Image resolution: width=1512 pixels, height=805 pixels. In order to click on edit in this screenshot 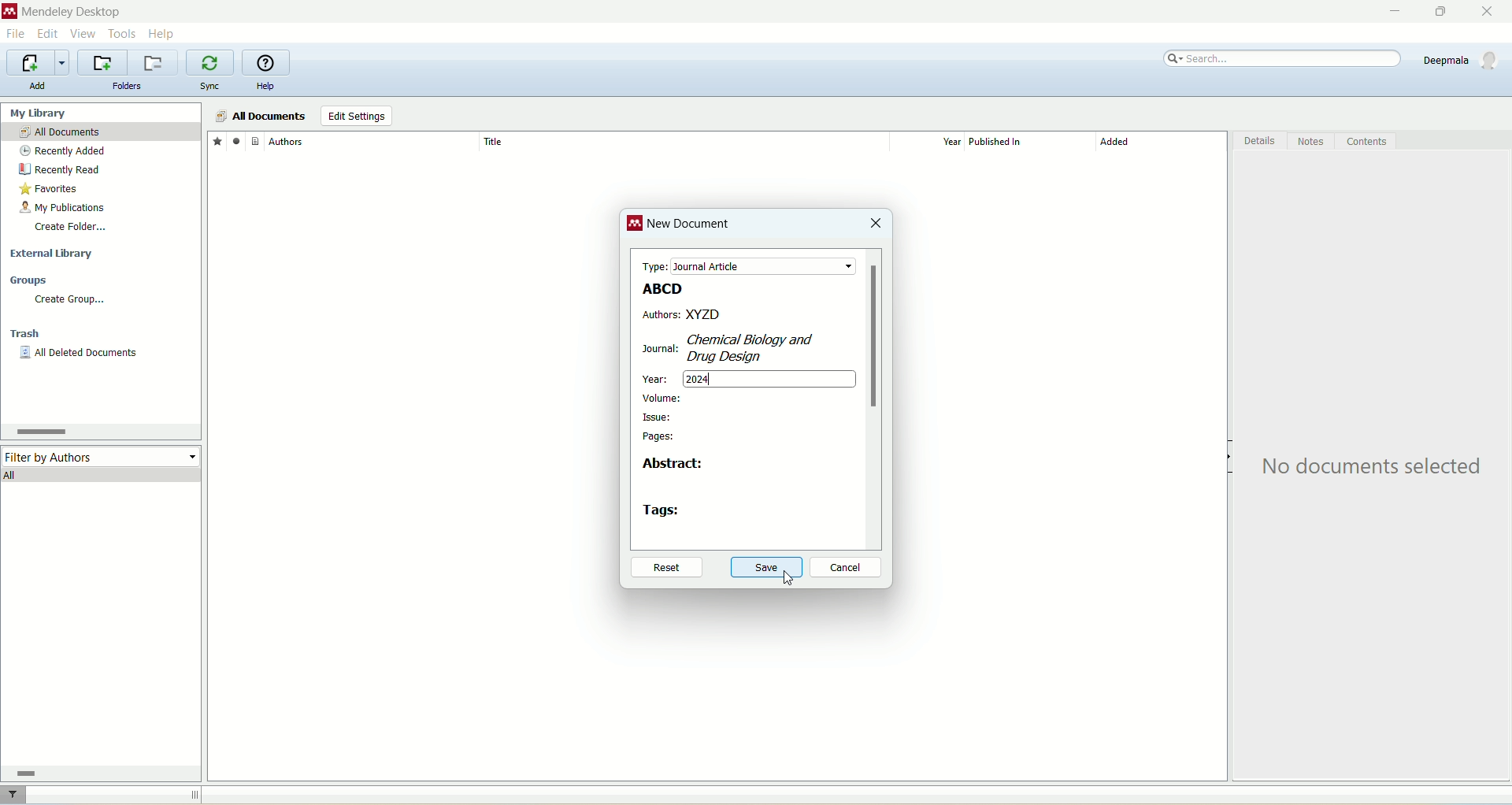, I will do `click(46, 34)`.